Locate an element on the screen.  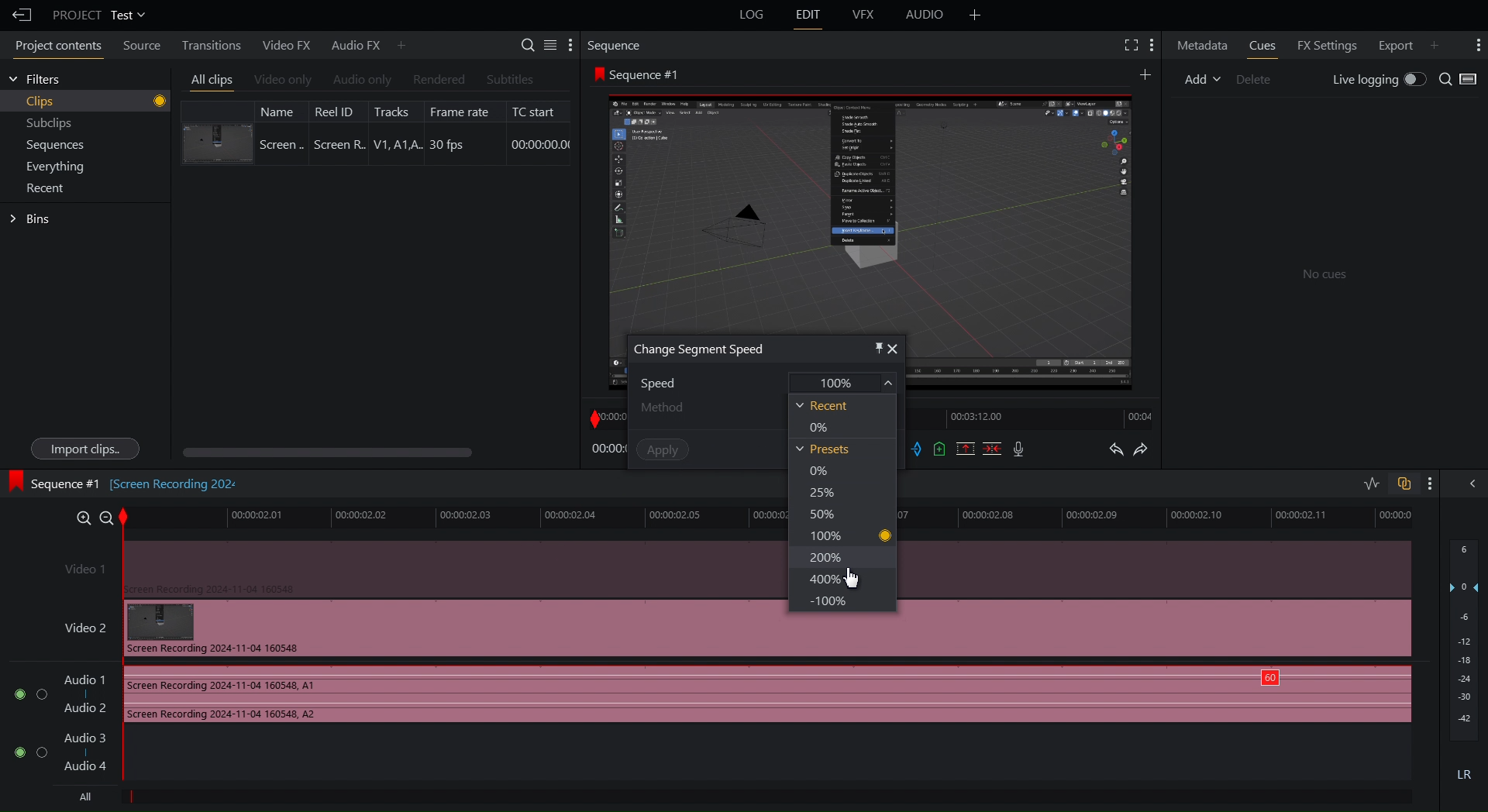
Rendered is located at coordinates (437, 80).